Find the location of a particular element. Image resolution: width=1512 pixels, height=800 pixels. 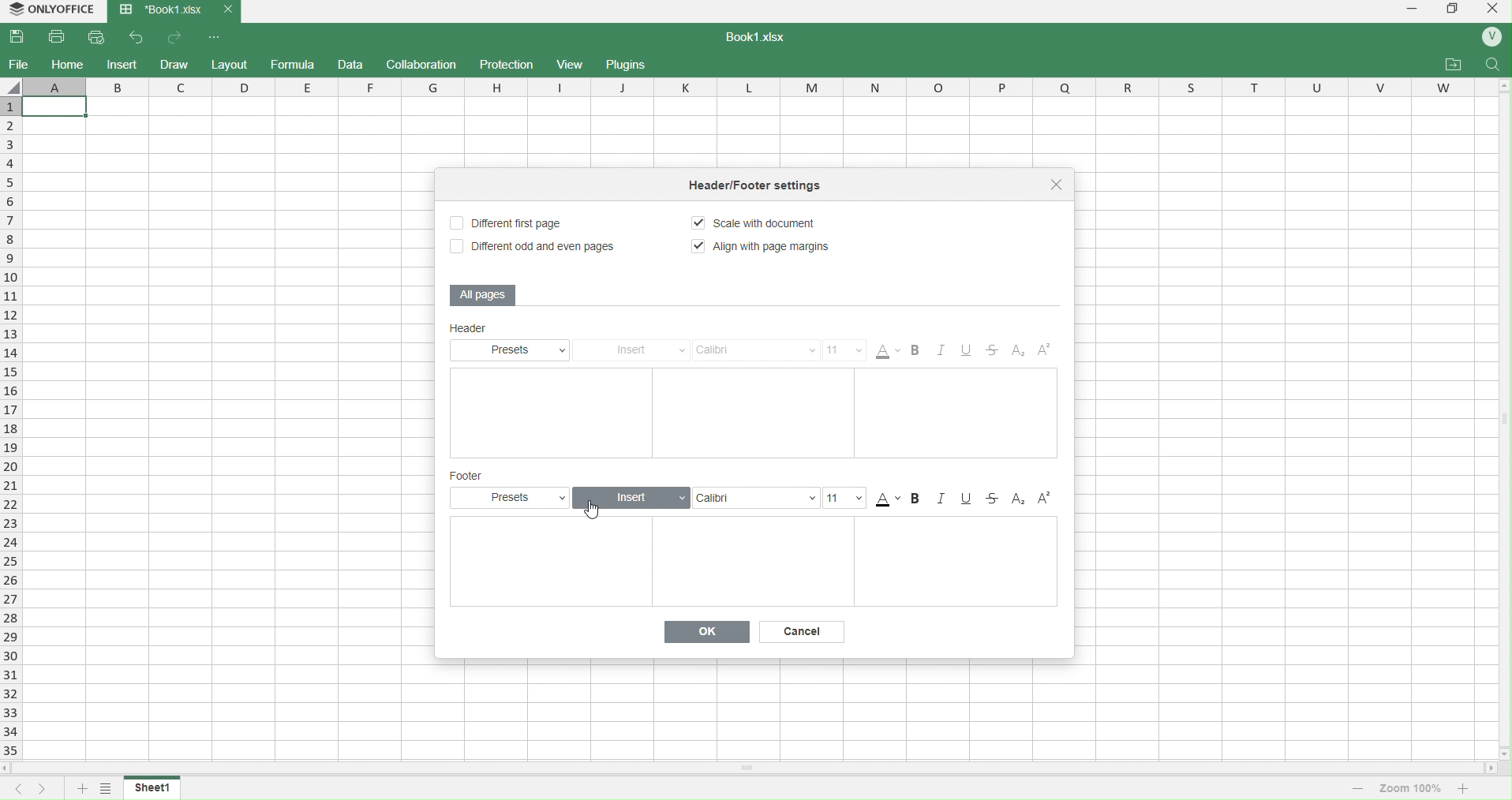

cursor is located at coordinates (593, 511).